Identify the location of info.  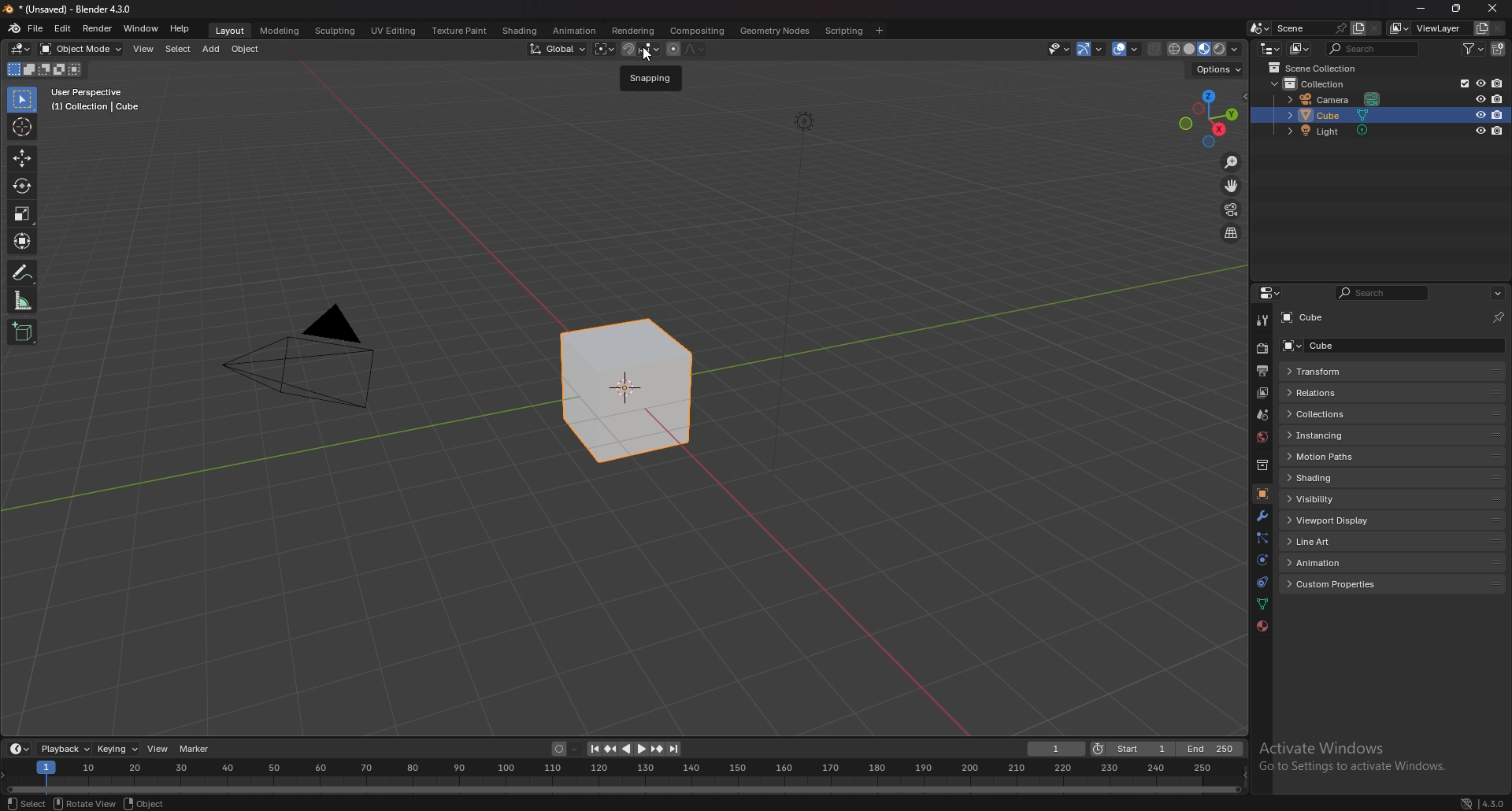
(96, 99).